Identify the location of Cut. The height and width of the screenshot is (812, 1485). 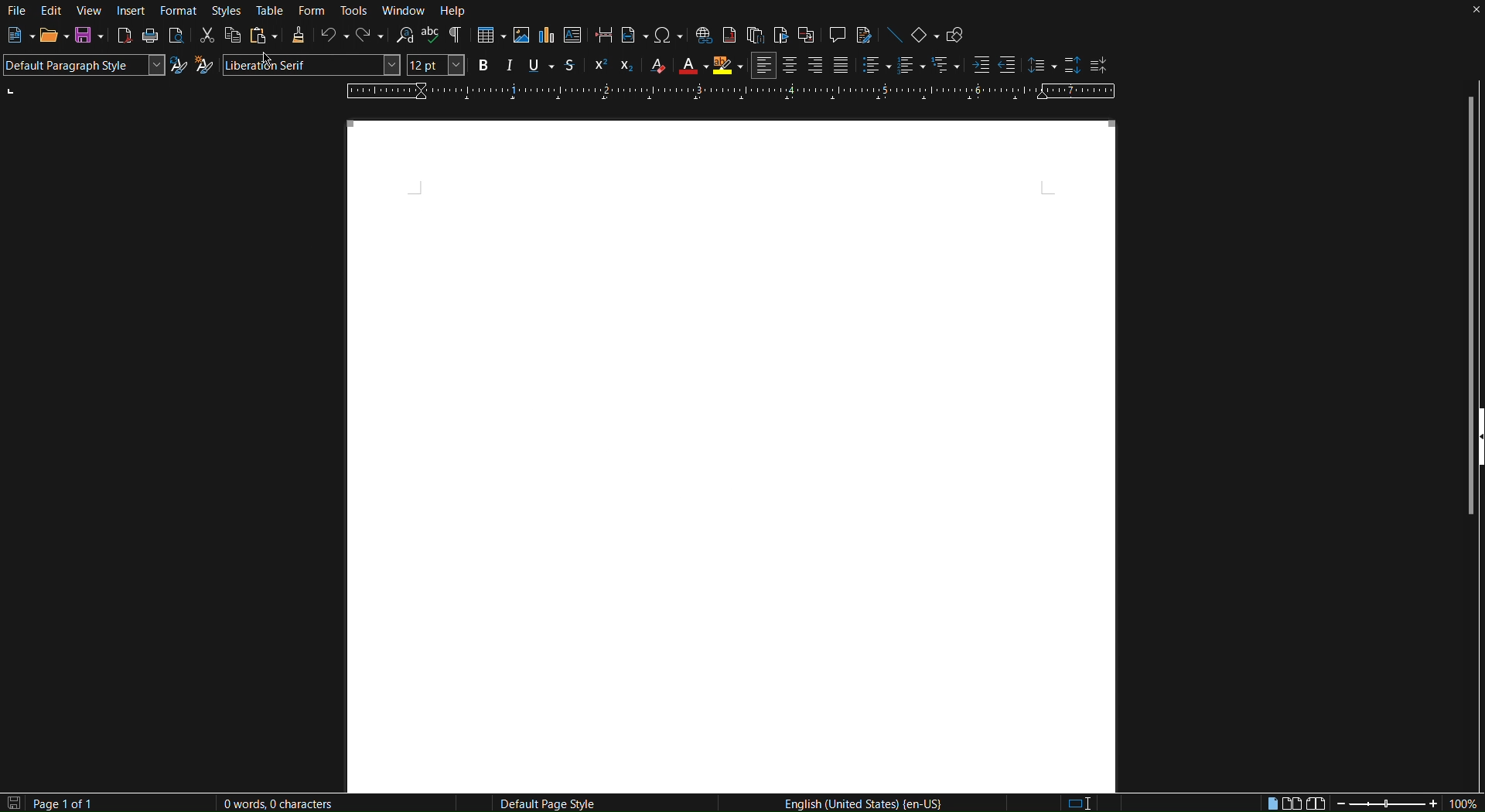
(205, 37).